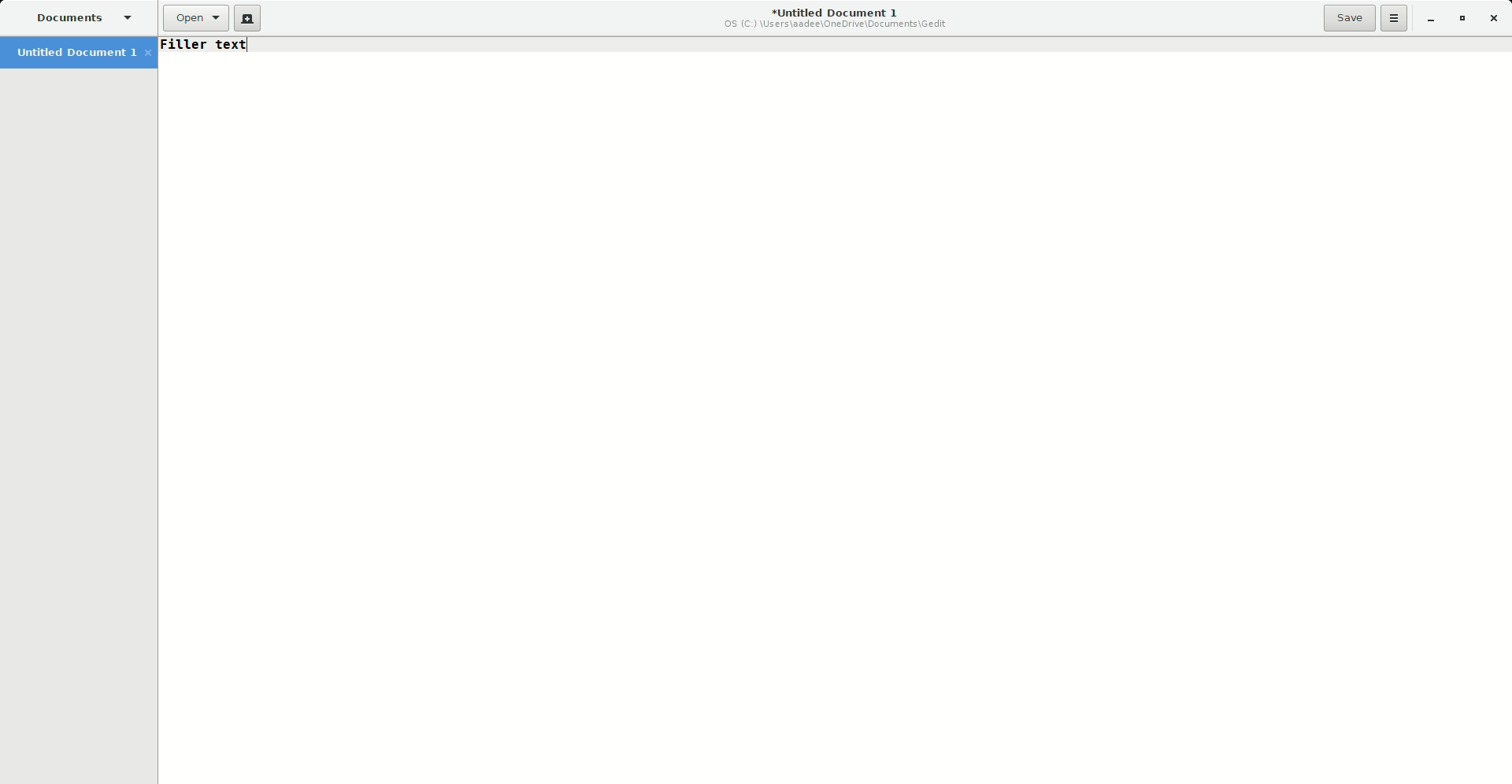  What do you see at coordinates (83, 54) in the screenshot?
I see `Untitled Document 1` at bounding box center [83, 54].